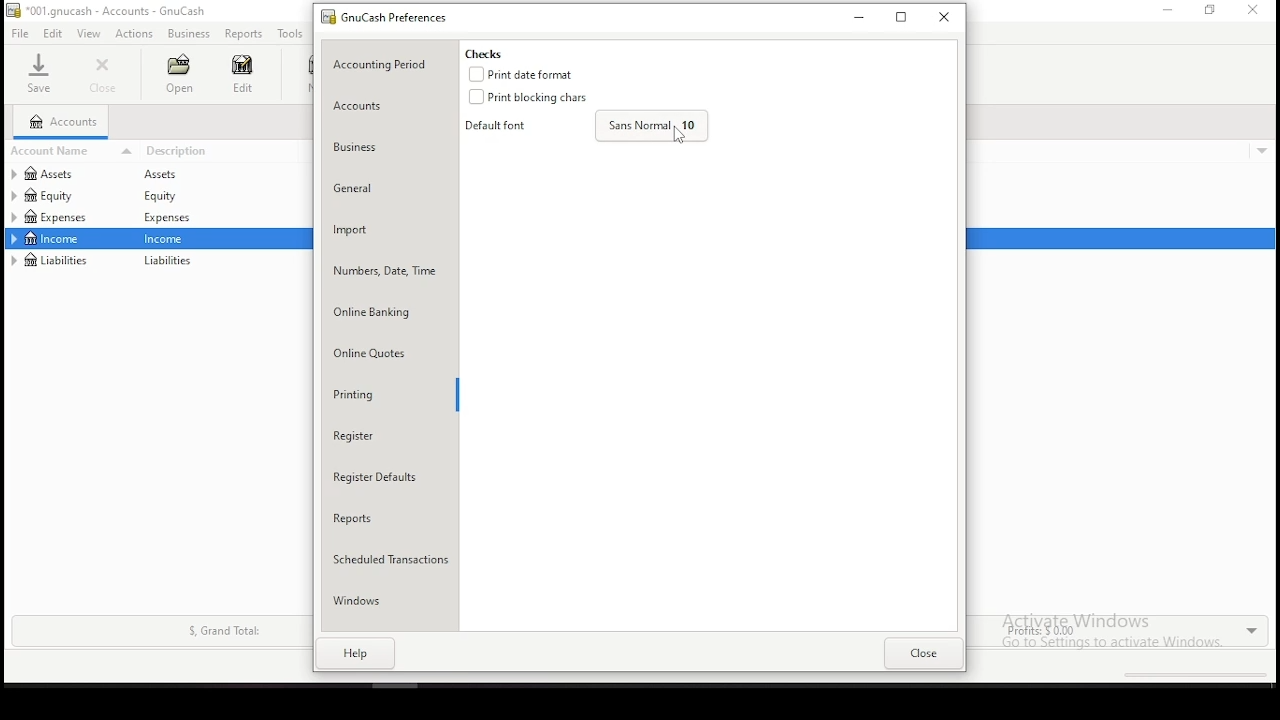  I want to click on checkbox: print blocking character, so click(535, 96).